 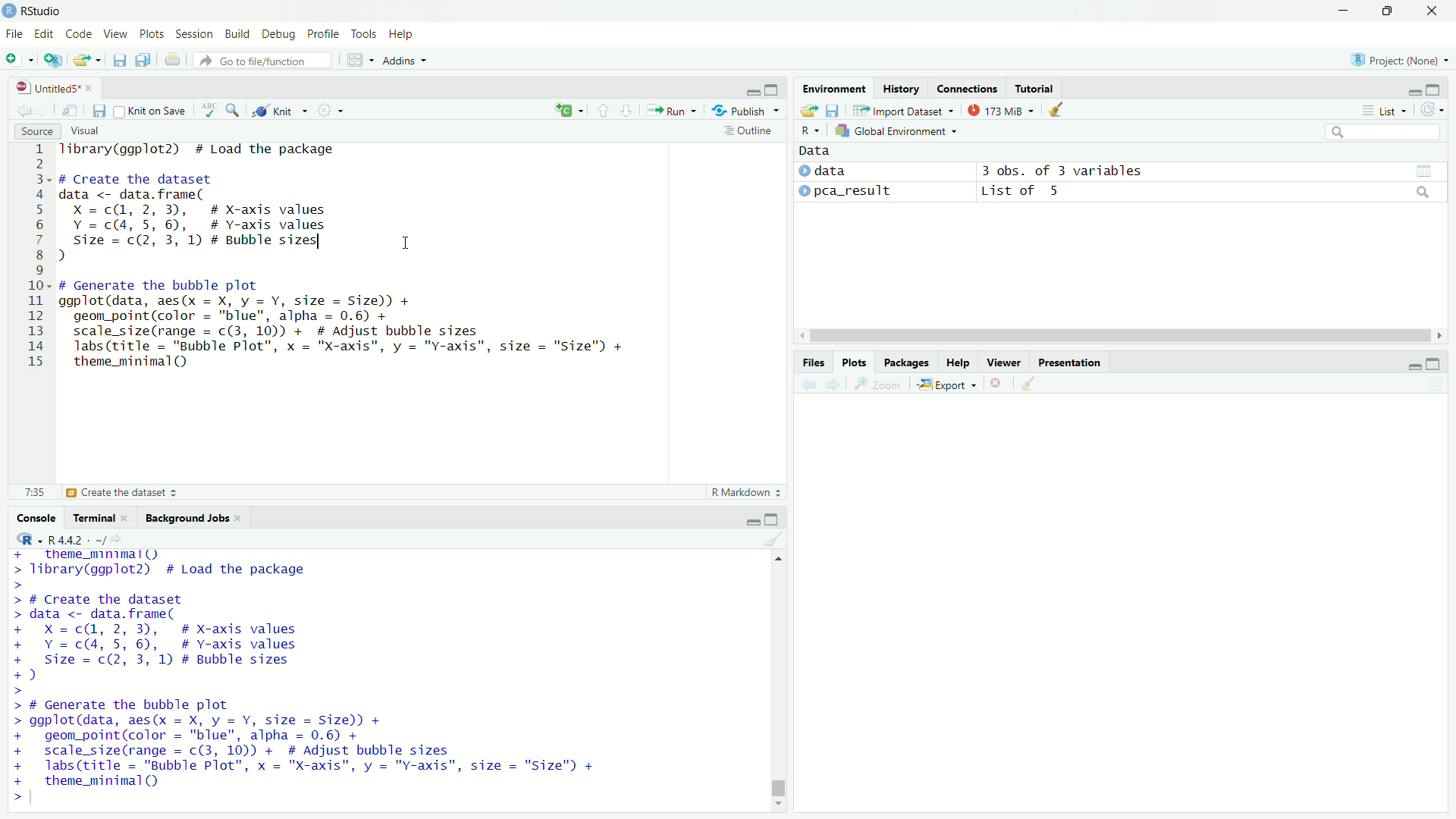 What do you see at coordinates (998, 384) in the screenshot?
I see `remove current plot` at bounding box center [998, 384].